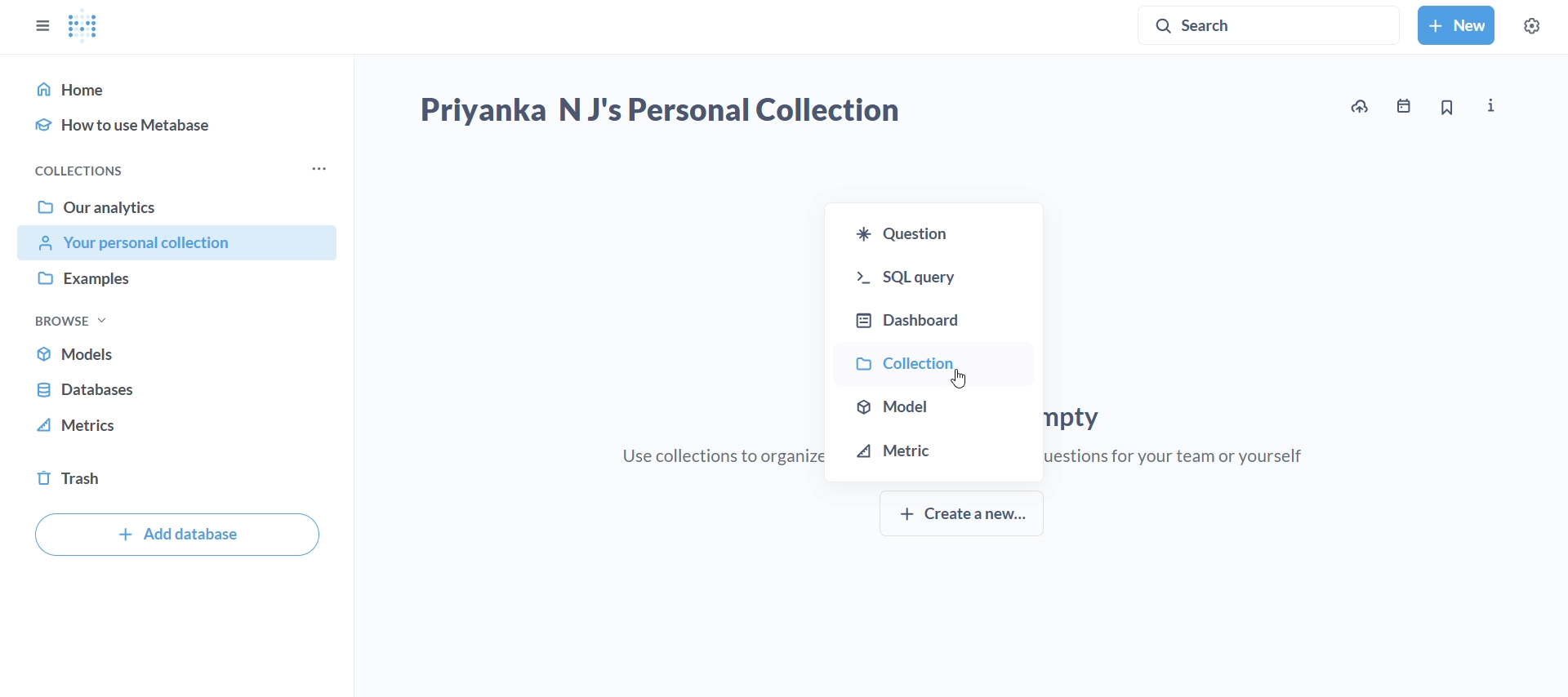  I want to click on settings, so click(1541, 23).